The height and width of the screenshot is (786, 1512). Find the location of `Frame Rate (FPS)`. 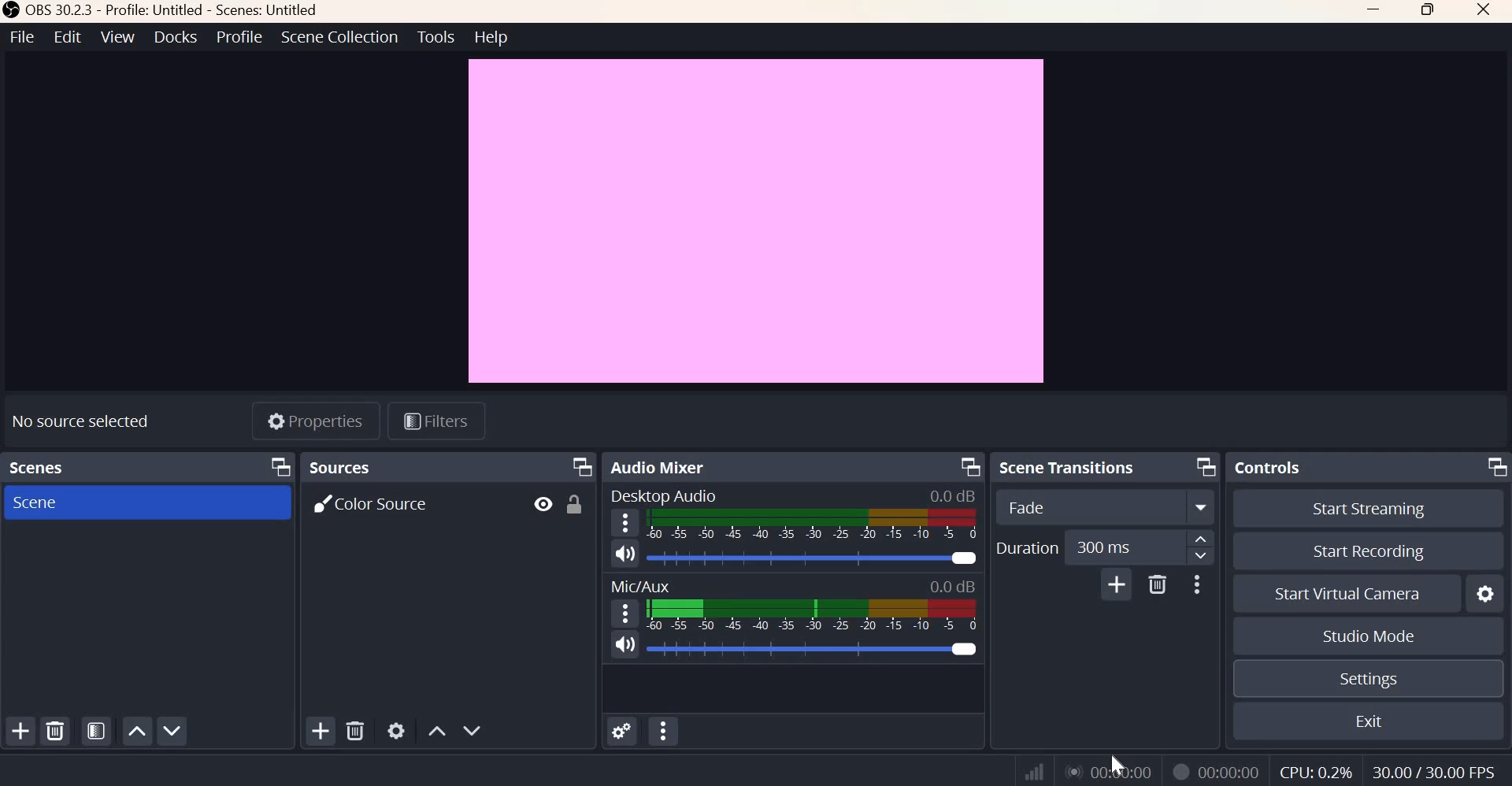

Frame Rate (FPS) is located at coordinates (1438, 769).